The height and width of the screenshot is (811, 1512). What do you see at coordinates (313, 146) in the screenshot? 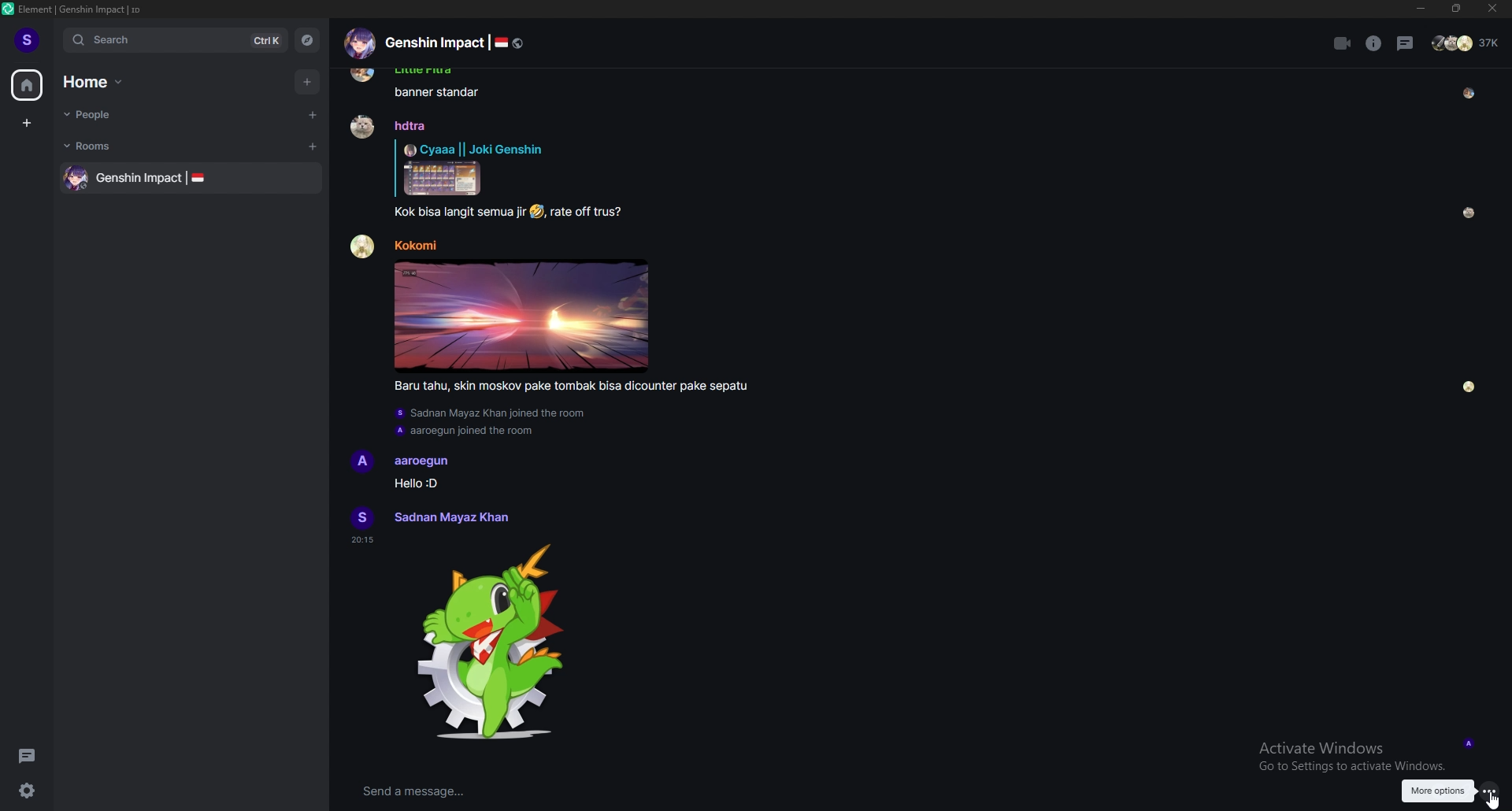
I see `add room` at bounding box center [313, 146].